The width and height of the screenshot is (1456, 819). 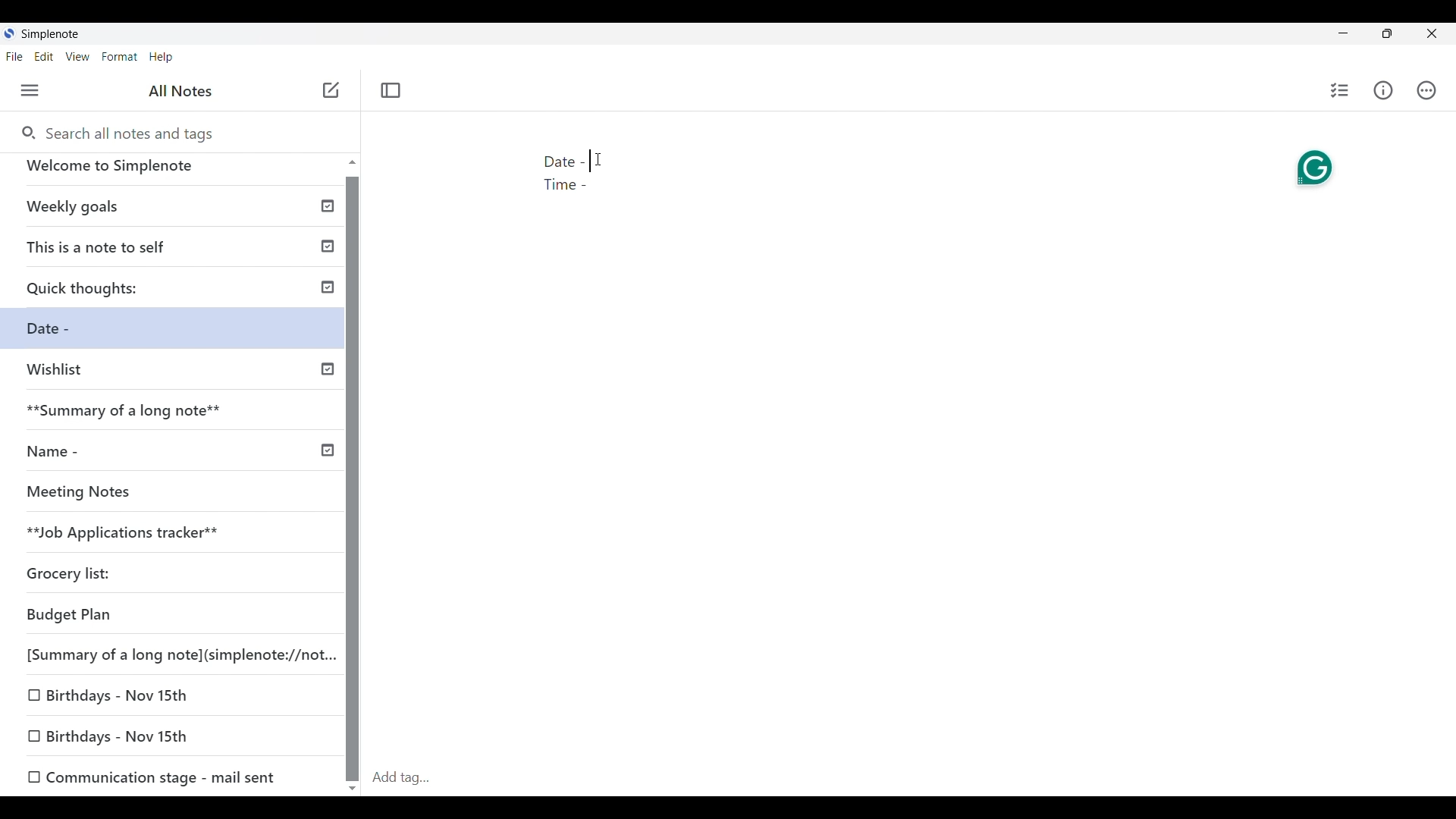 What do you see at coordinates (162, 616) in the screenshot?
I see `date` at bounding box center [162, 616].